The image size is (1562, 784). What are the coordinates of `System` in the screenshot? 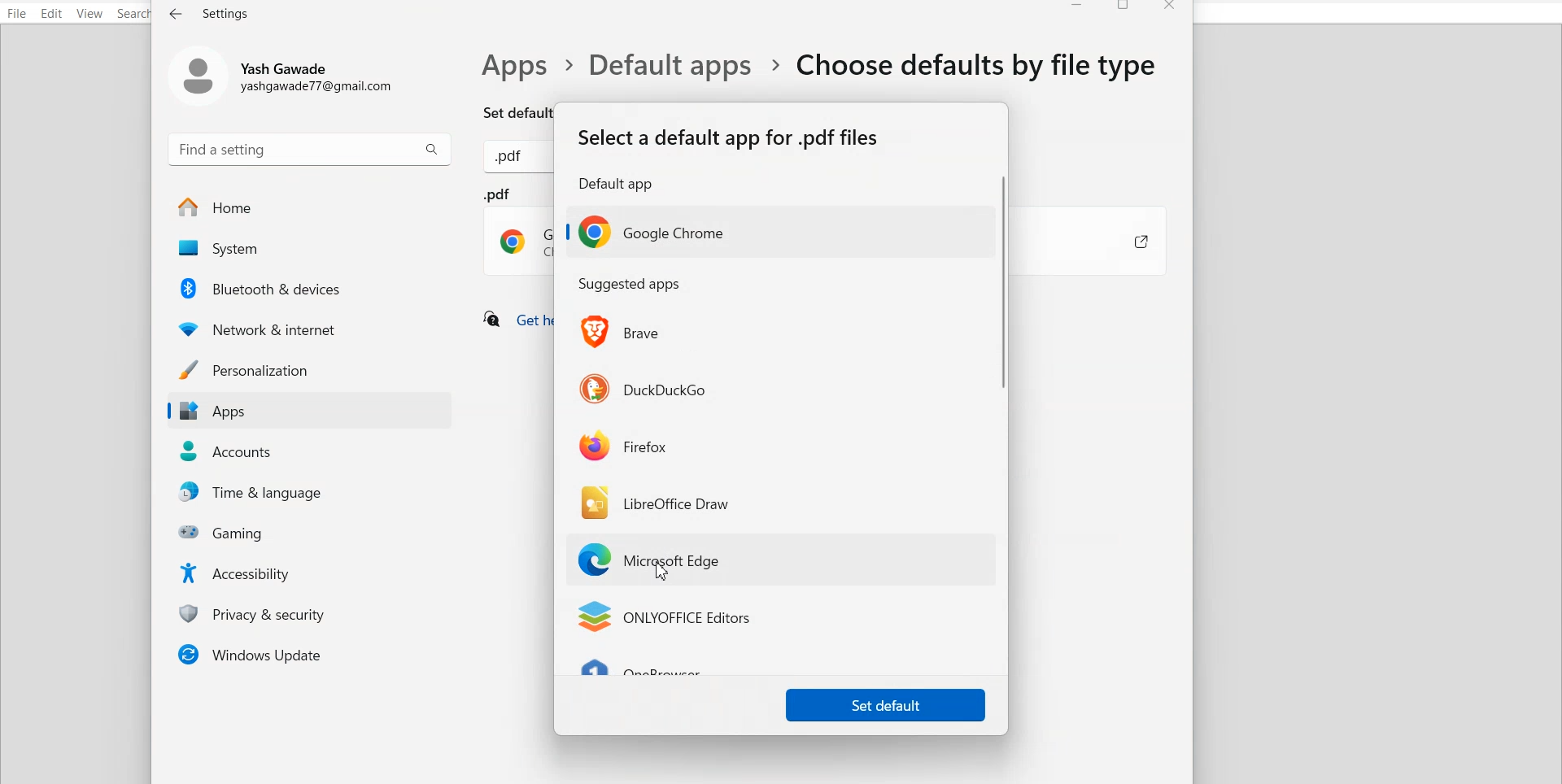 It's located at (308, 249).